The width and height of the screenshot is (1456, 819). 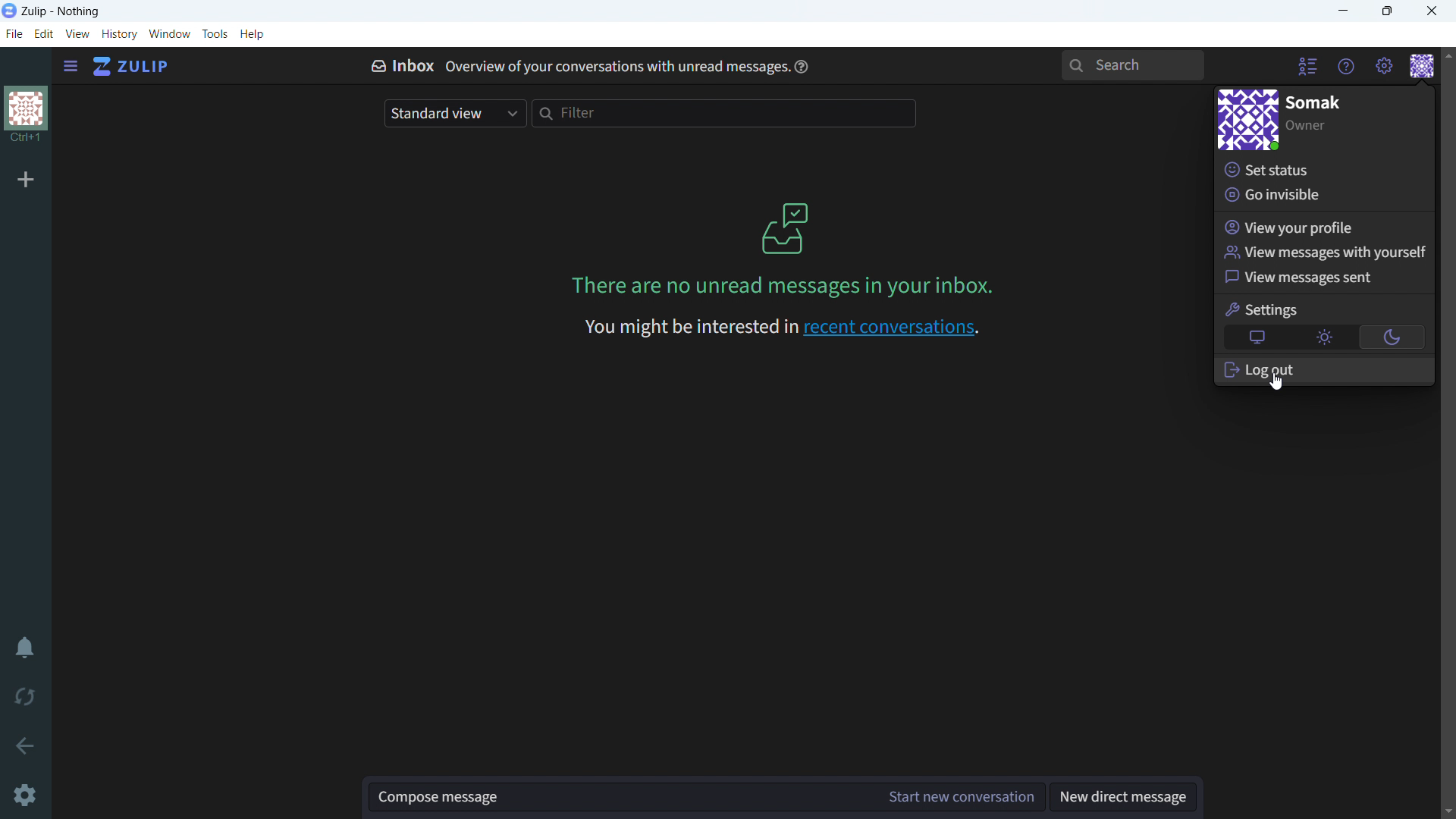 What do you see at coordinates (132, 67) in the screenshot?
I see `go to home view (inbox)` at bounding box center [132, 67].